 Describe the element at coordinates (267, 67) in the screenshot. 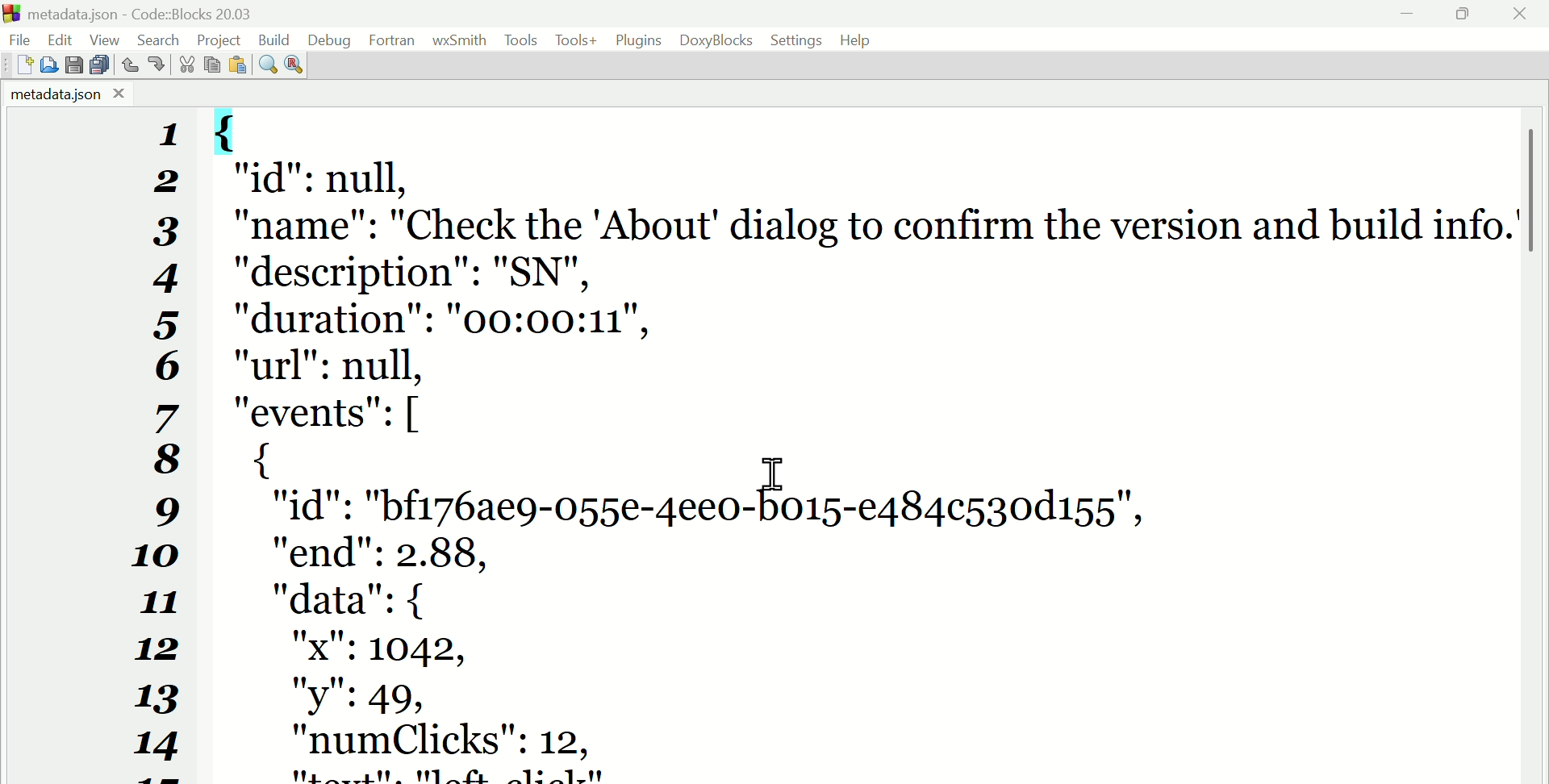

I see `Find` at that location.